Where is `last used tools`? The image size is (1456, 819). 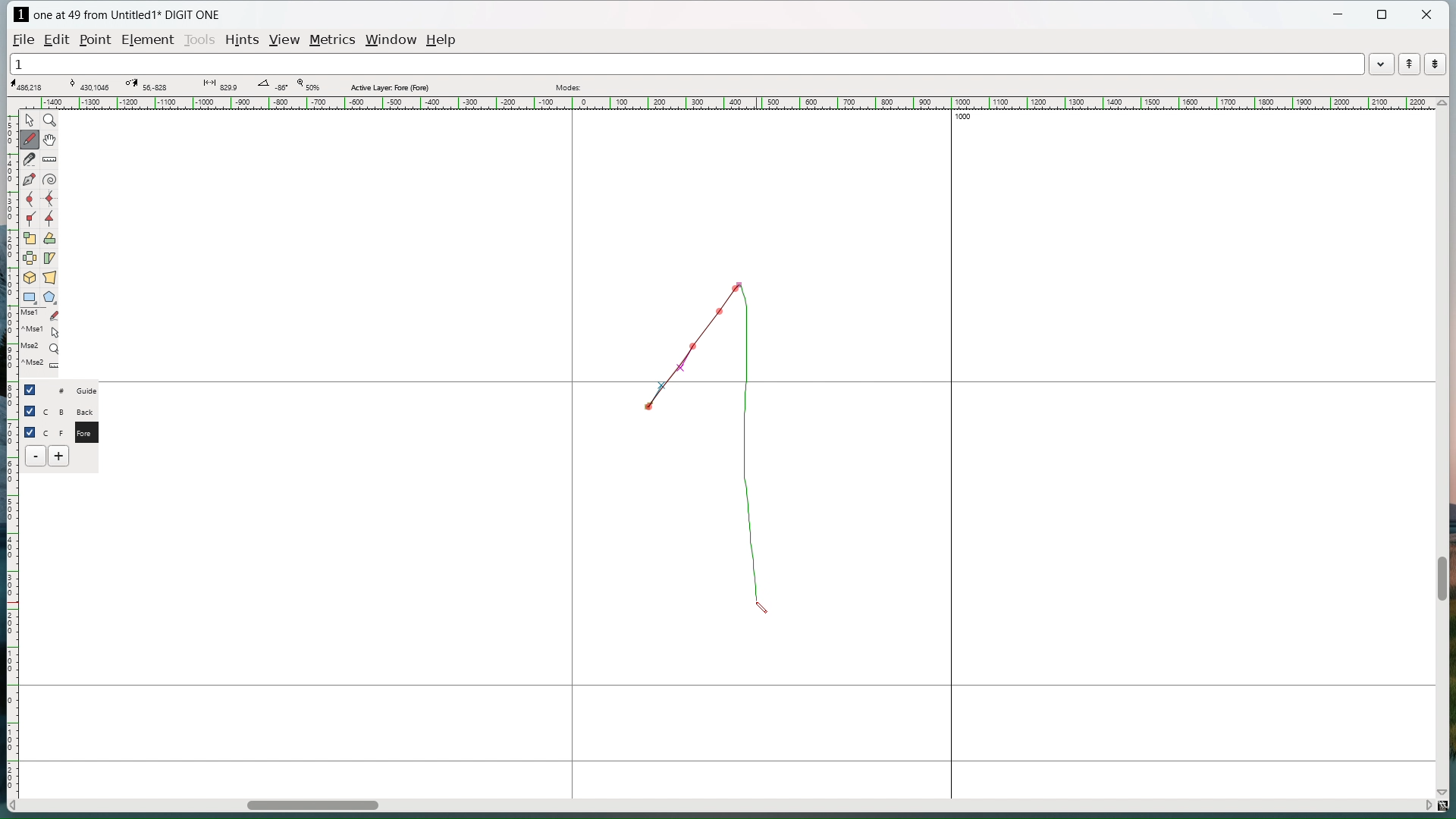
last used tools is located at coordinates (39, 343).